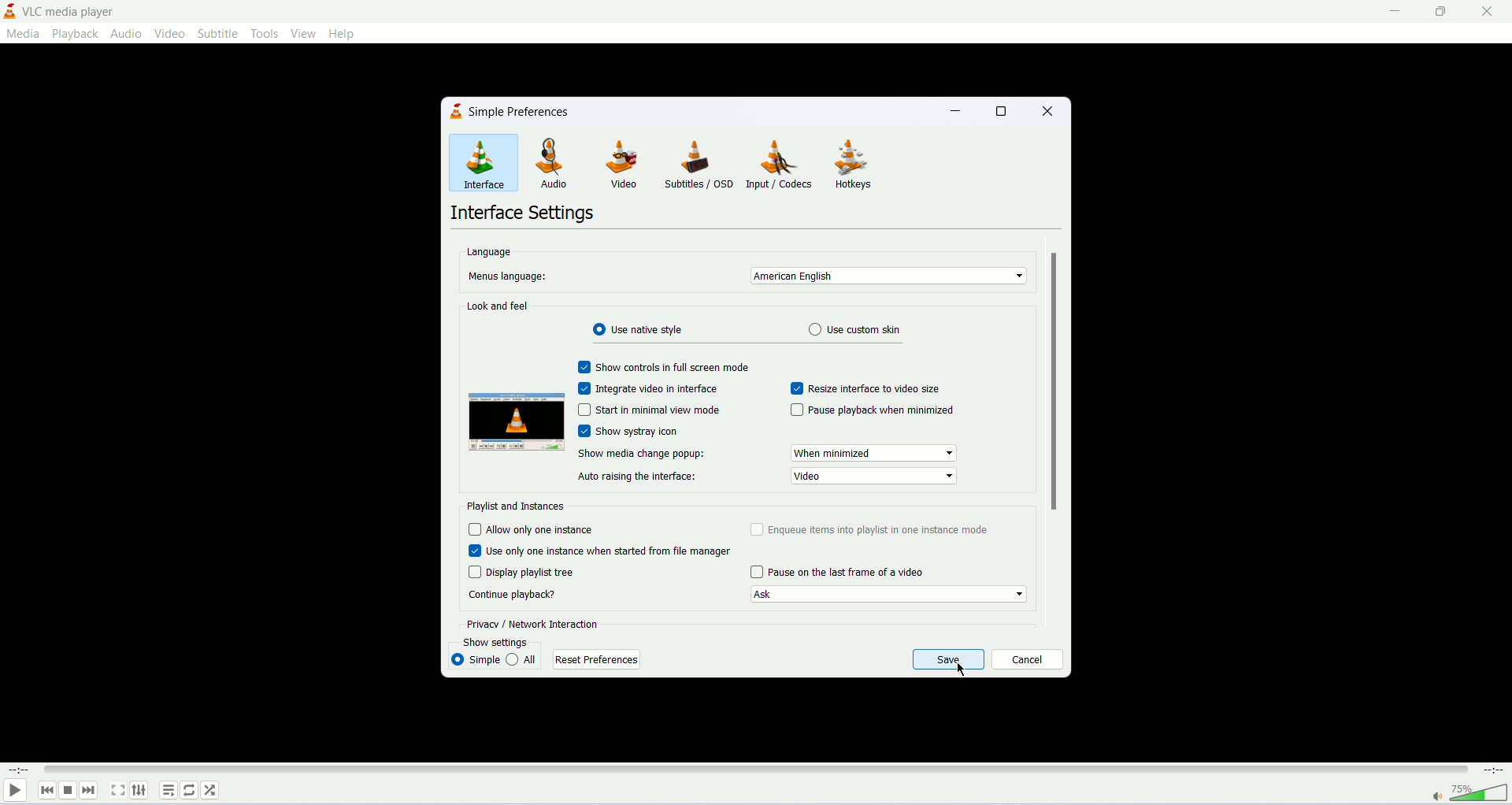  I want to click on simple, so click(475, 659).